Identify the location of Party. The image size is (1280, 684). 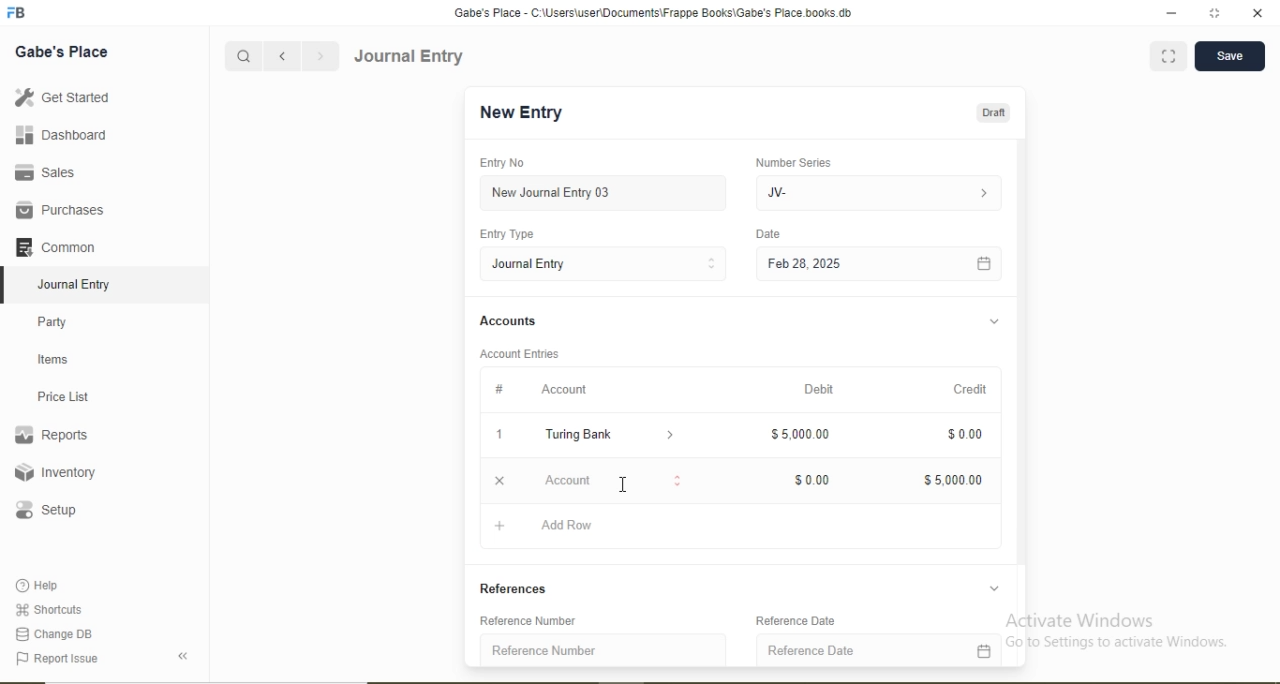
(53, 324).